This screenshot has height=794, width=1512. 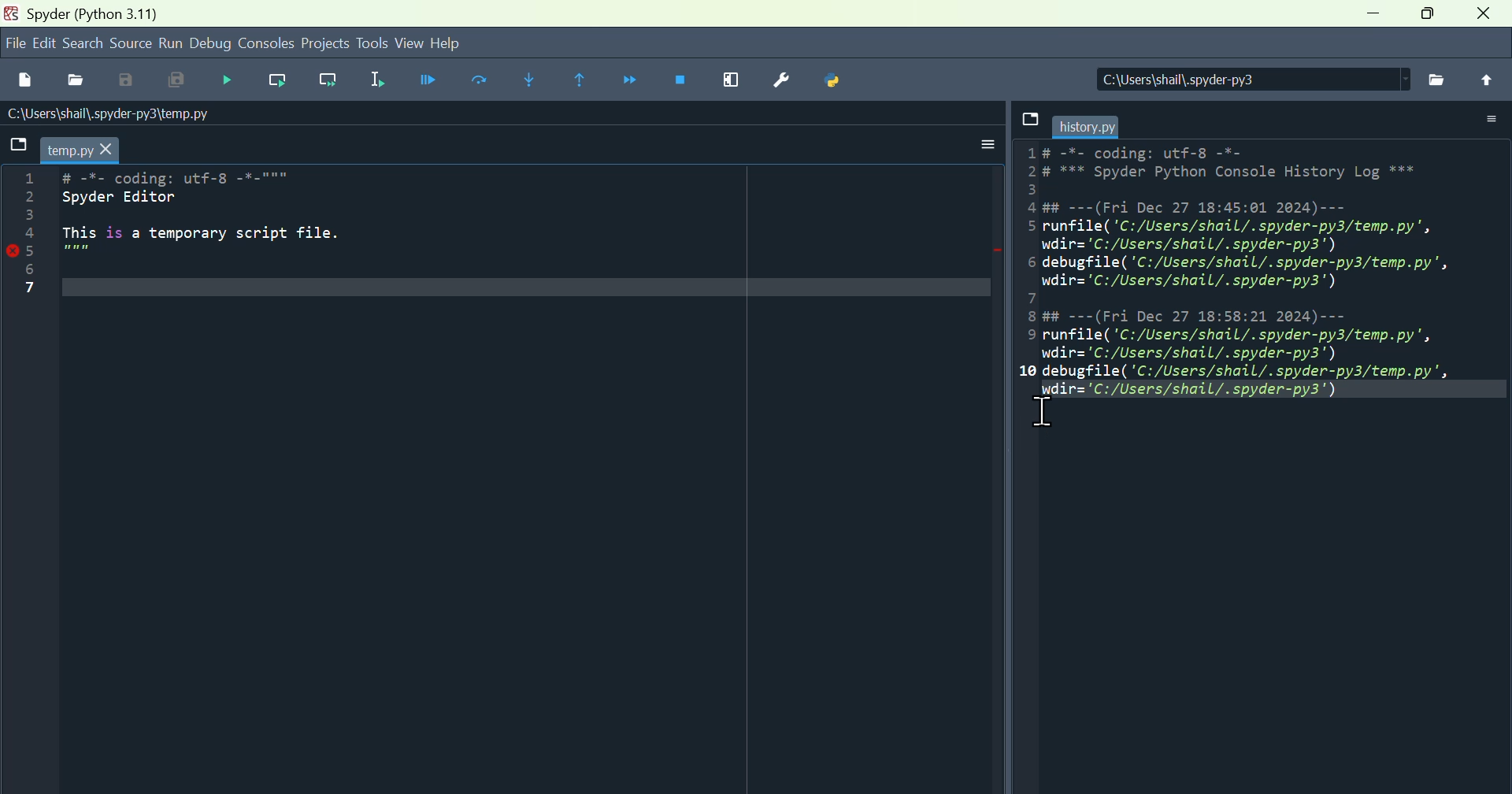 What do you see at coordinates (531, 79) in the screenshot?
I see `Step into function` at bounding box center [531, 79].